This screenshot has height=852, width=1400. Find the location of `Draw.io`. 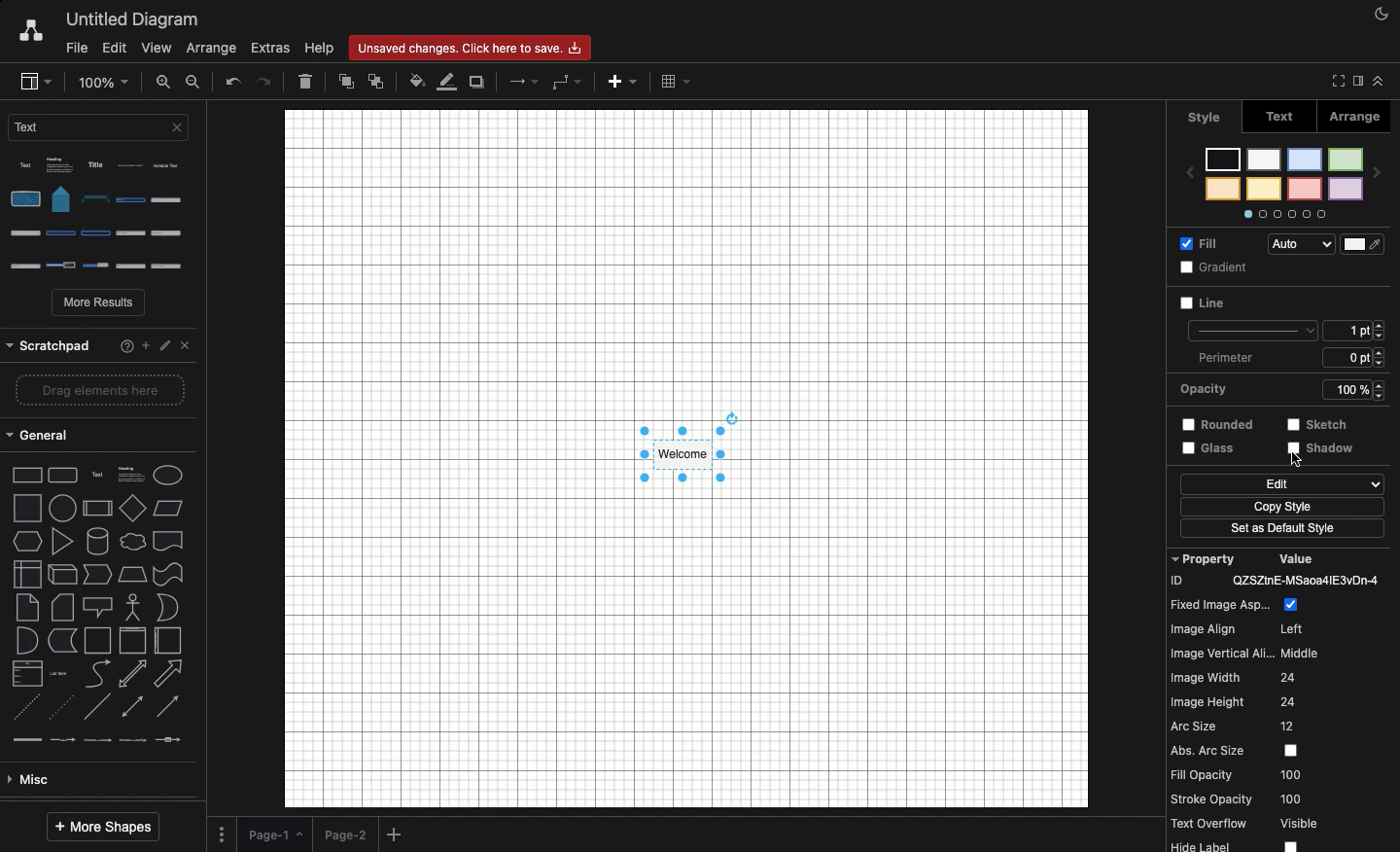

Draw.io is located at coordinates (30, 32).